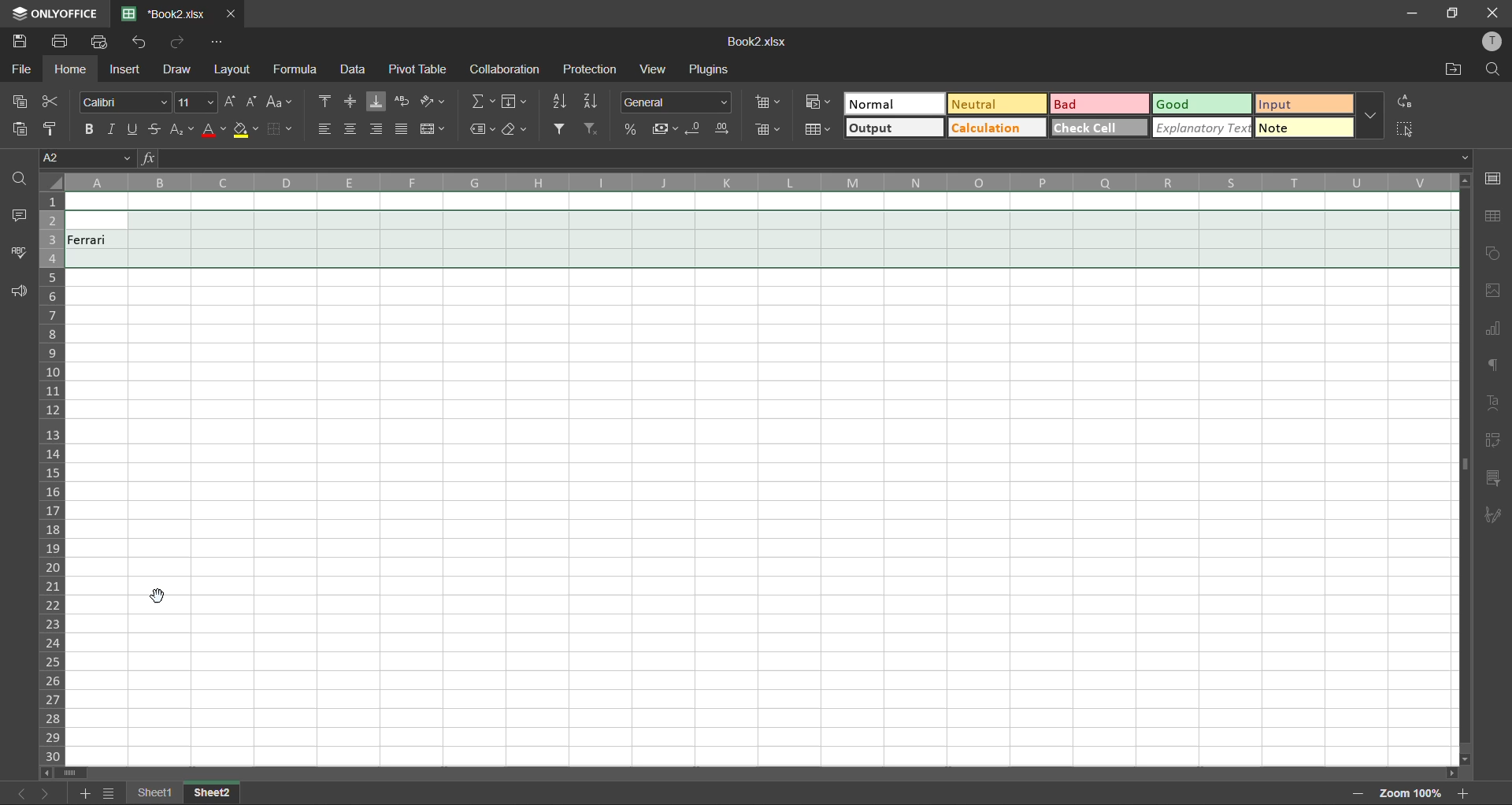 This screenshot has height=805, width=1512. What do you see at coordinates (1494, 69) in the screenshot?
I see `find` at bounding box center [1494, 69].